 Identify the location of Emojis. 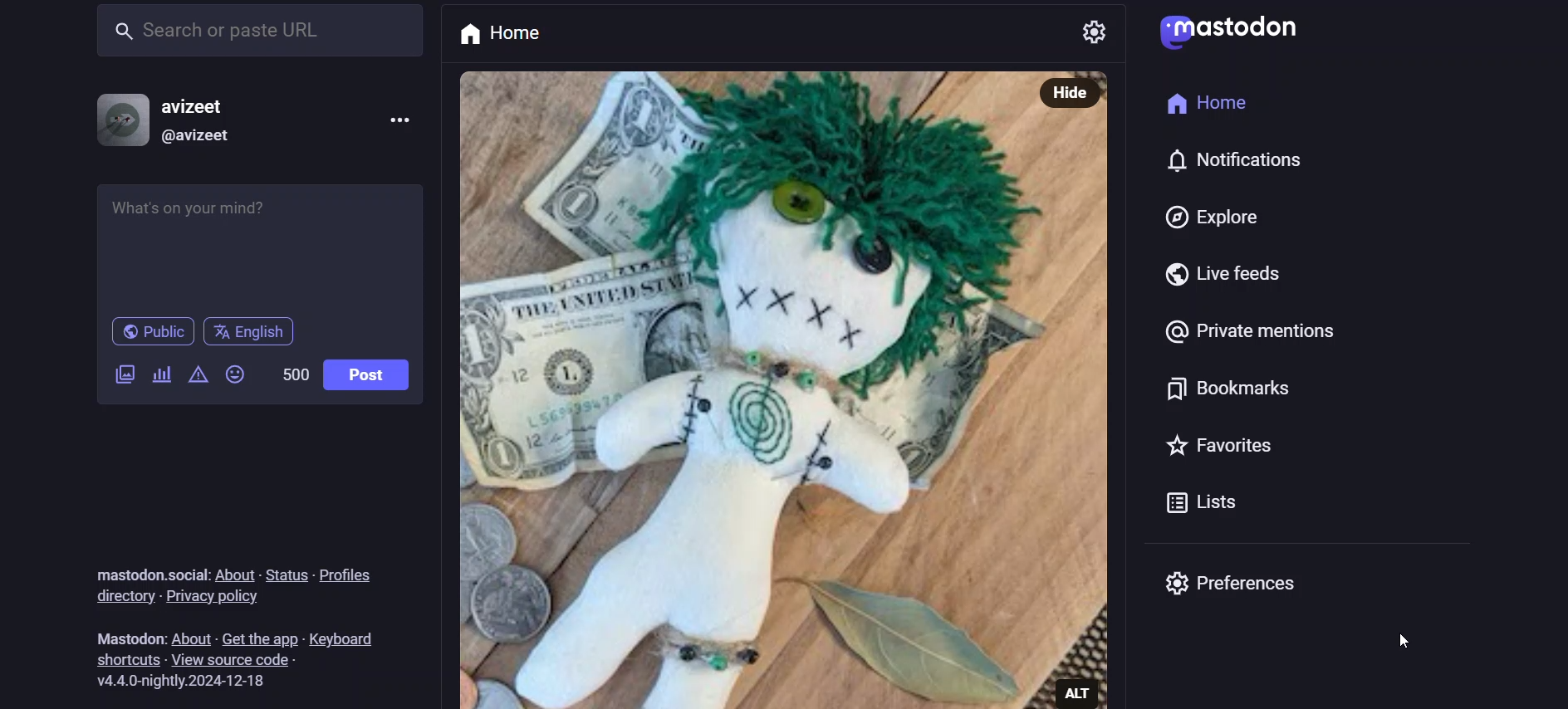
(233, 374).